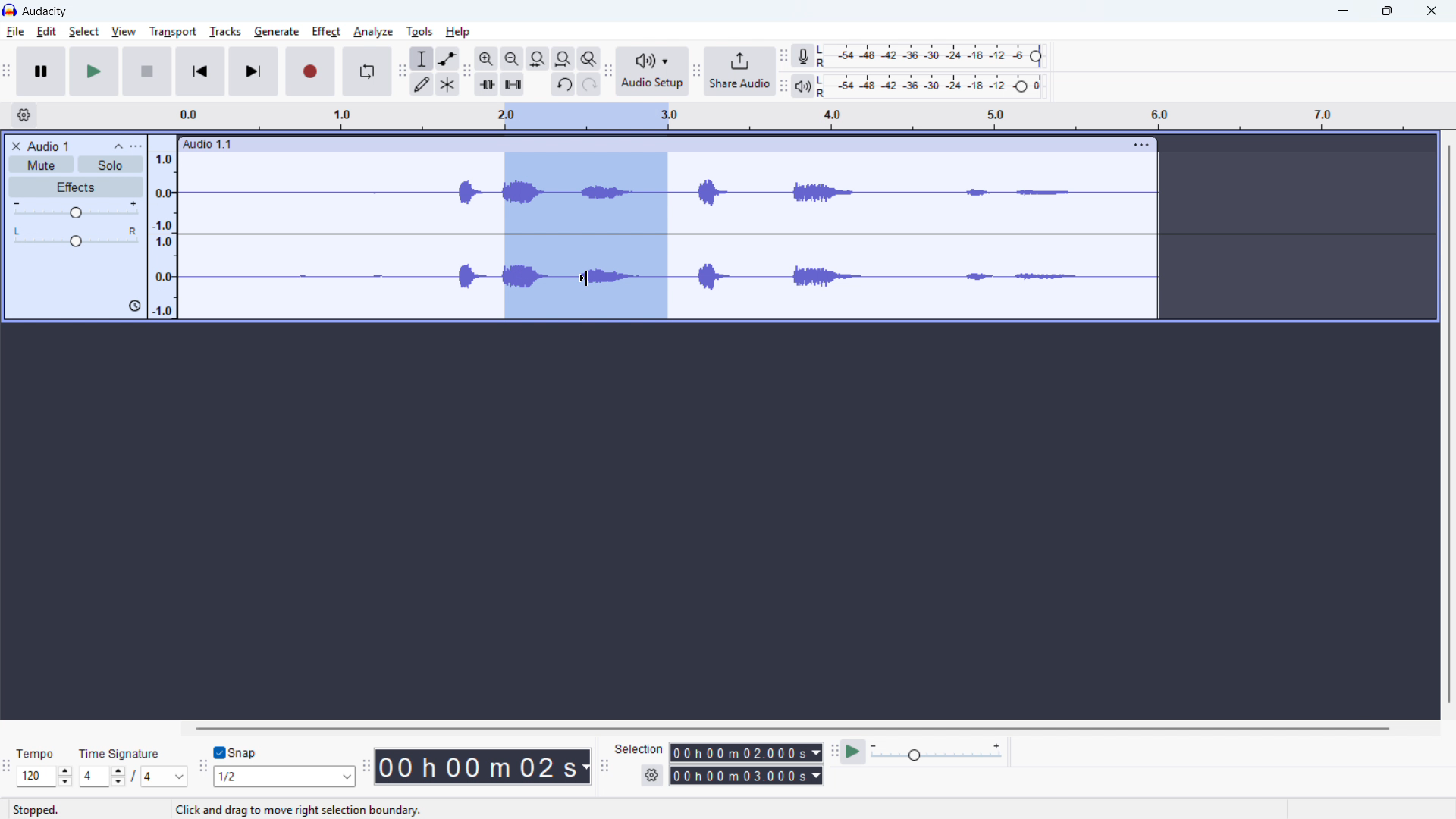  Describe the element at coordinates (203, 769) in the screenshot. I see `Snapping toolbar ` at that location.